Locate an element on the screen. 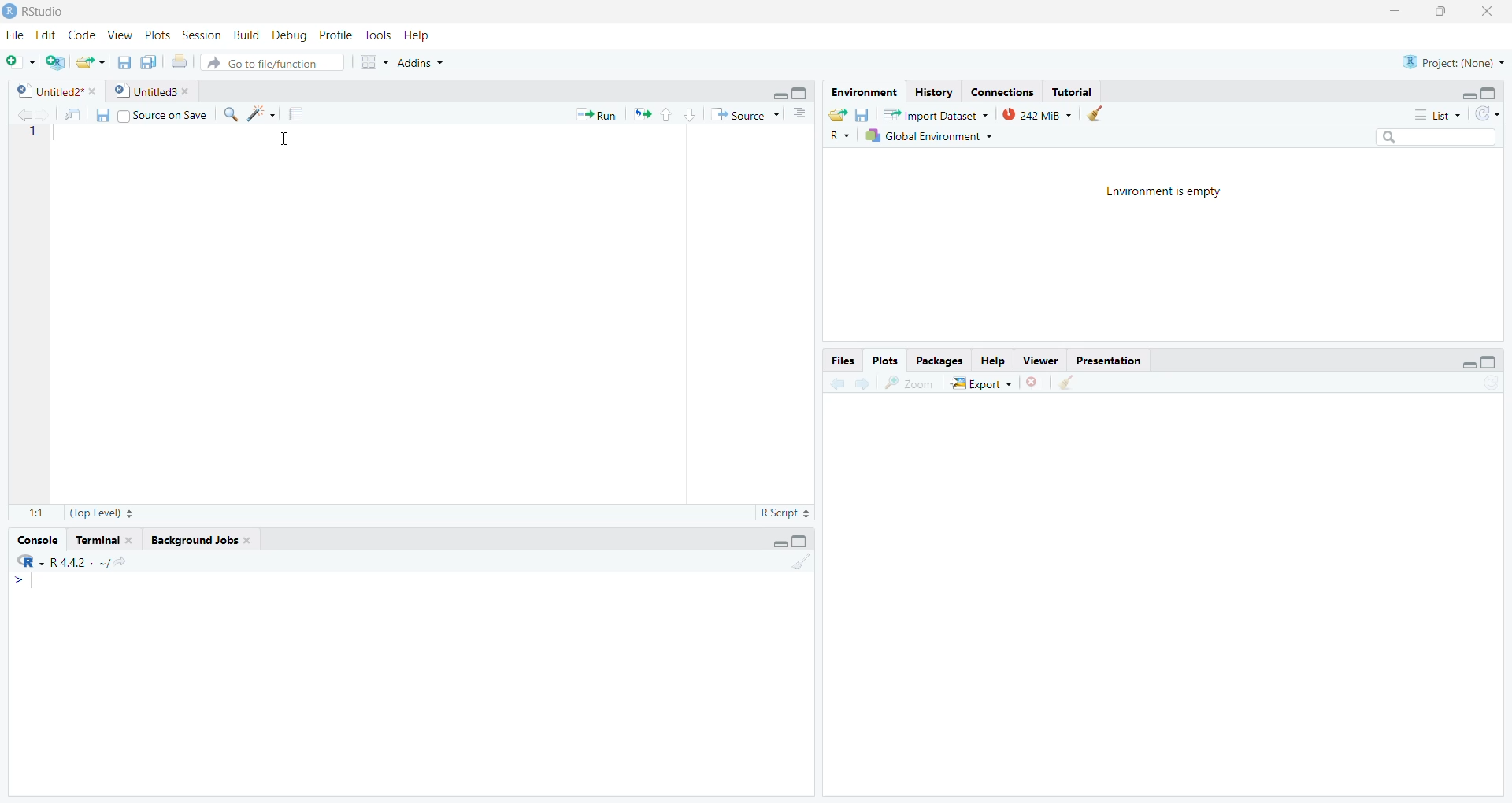 The width and height of the screenshot is (1512, 803). code tools is located at coordinates (261, 114).